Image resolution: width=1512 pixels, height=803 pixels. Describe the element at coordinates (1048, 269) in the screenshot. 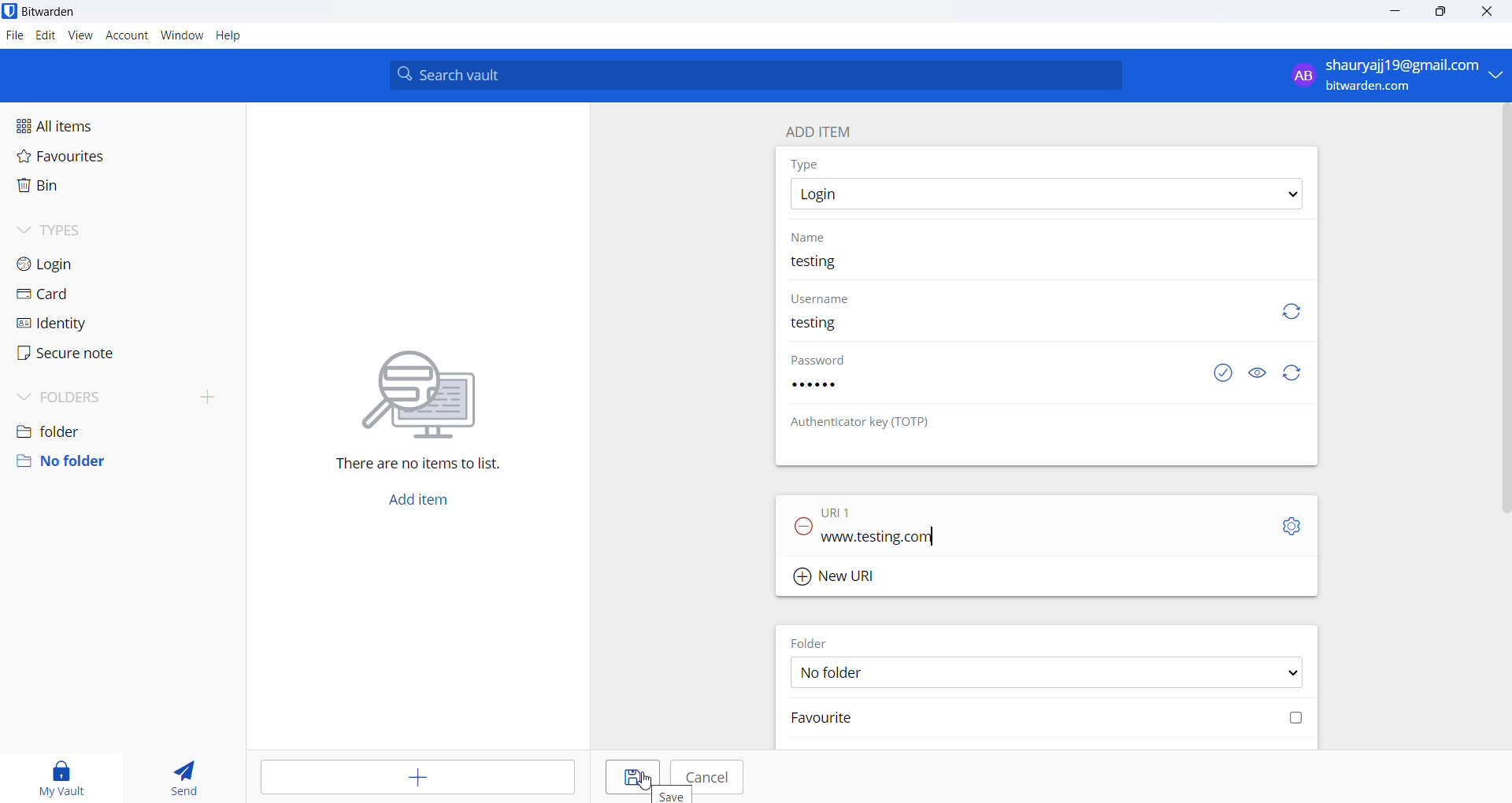

I see `name input box. current name: testing` at that location.